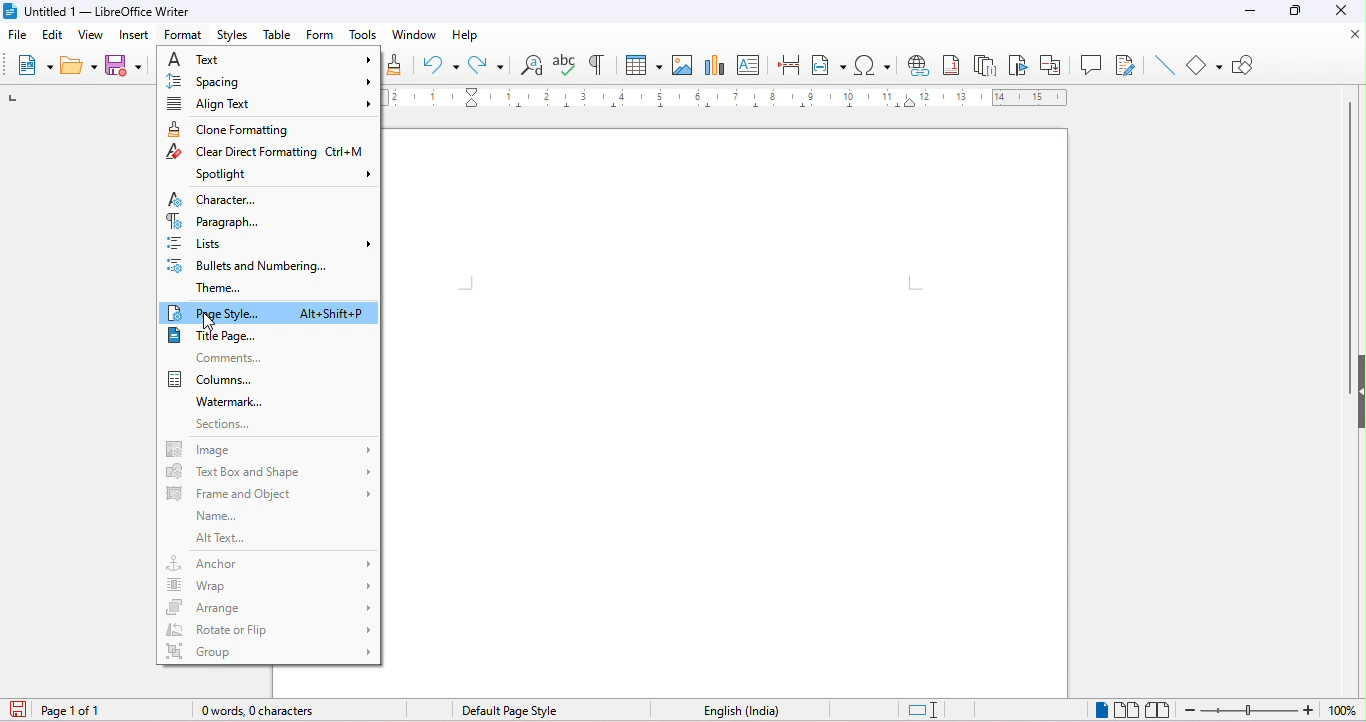  Describe the element at coordinates (273, 611) in the screenshot. I see `arrange` at that location.